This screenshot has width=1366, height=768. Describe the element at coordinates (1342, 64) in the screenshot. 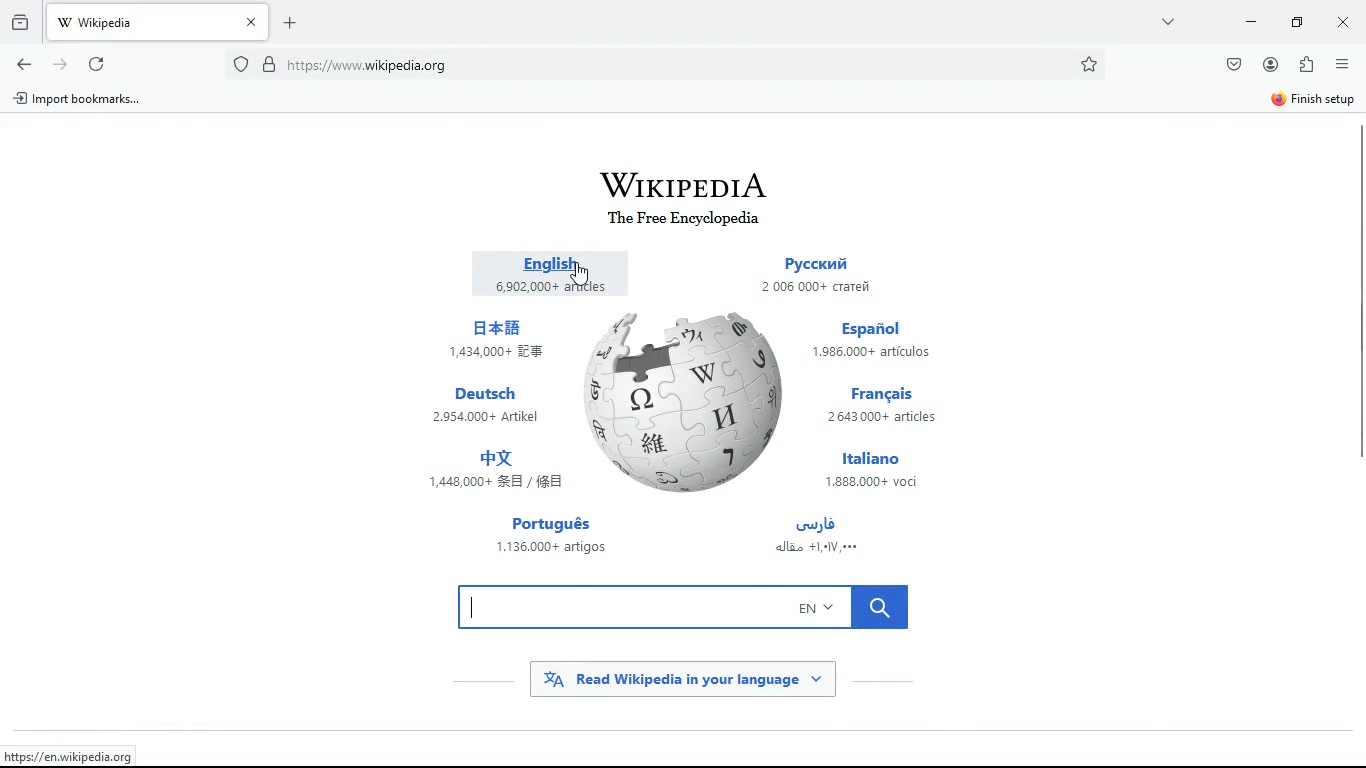

I see `options` at that location.